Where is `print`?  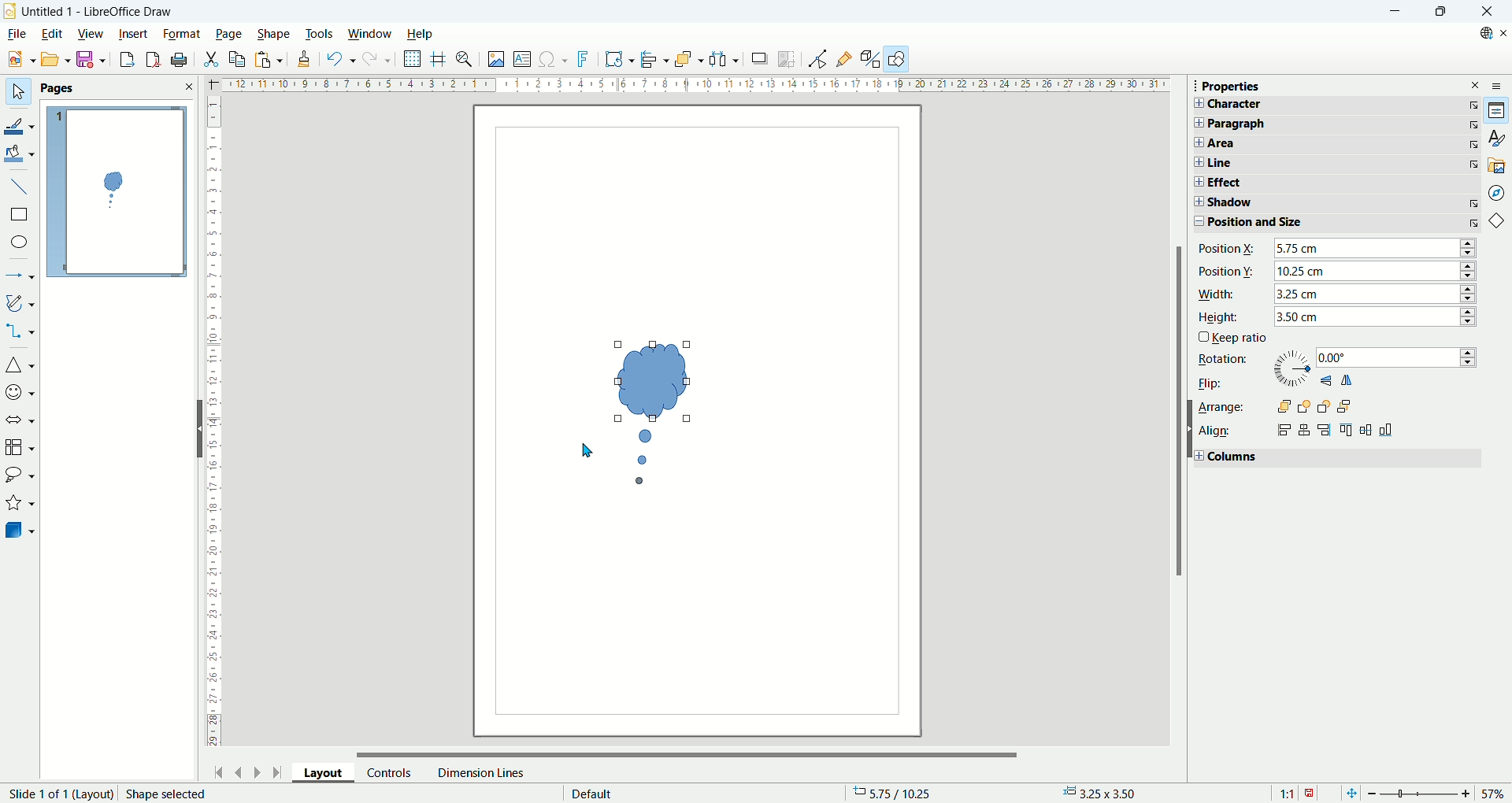 print is located at coordinates (180, 60).